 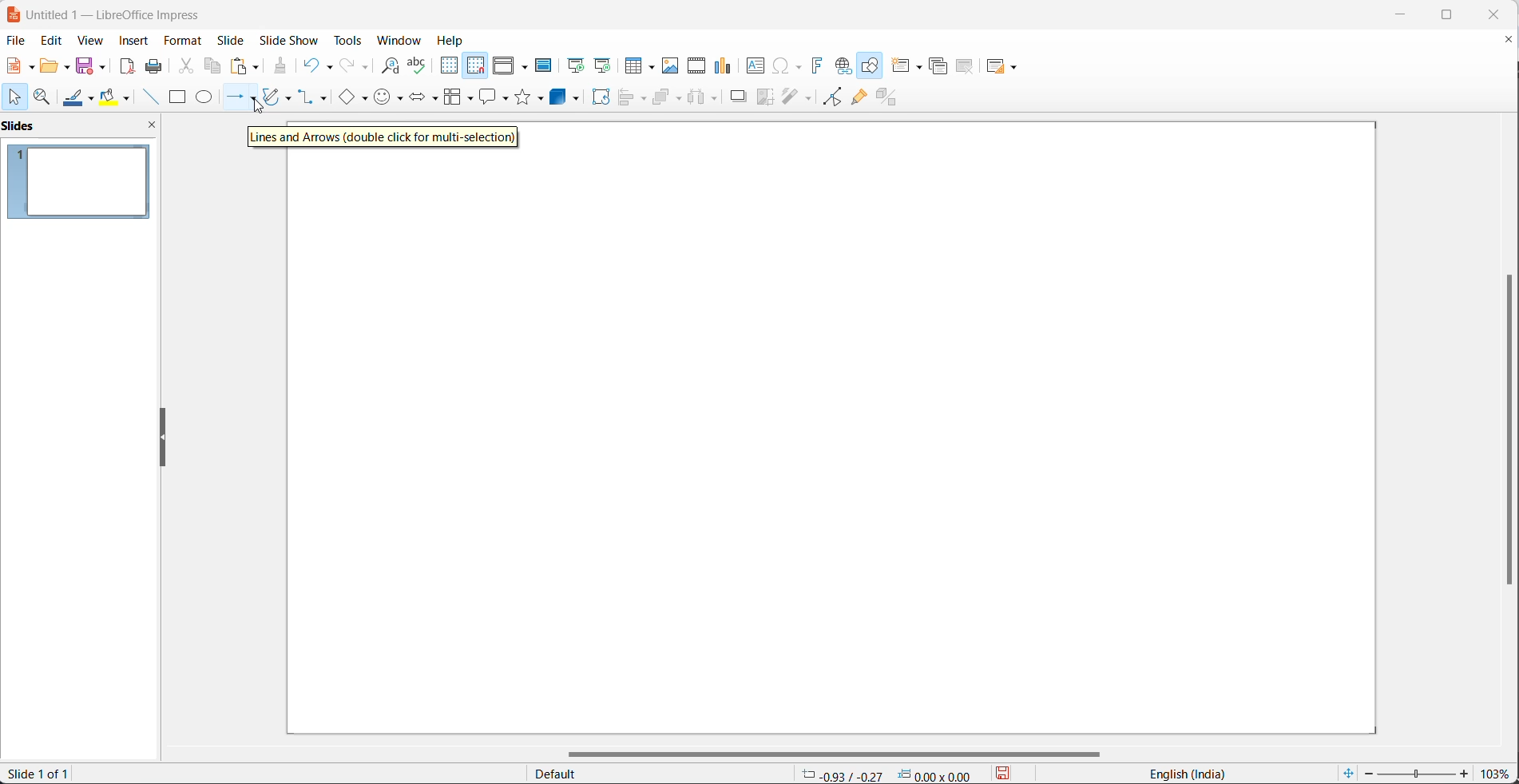 I want to click on empty page, so click(x=947, y=135).